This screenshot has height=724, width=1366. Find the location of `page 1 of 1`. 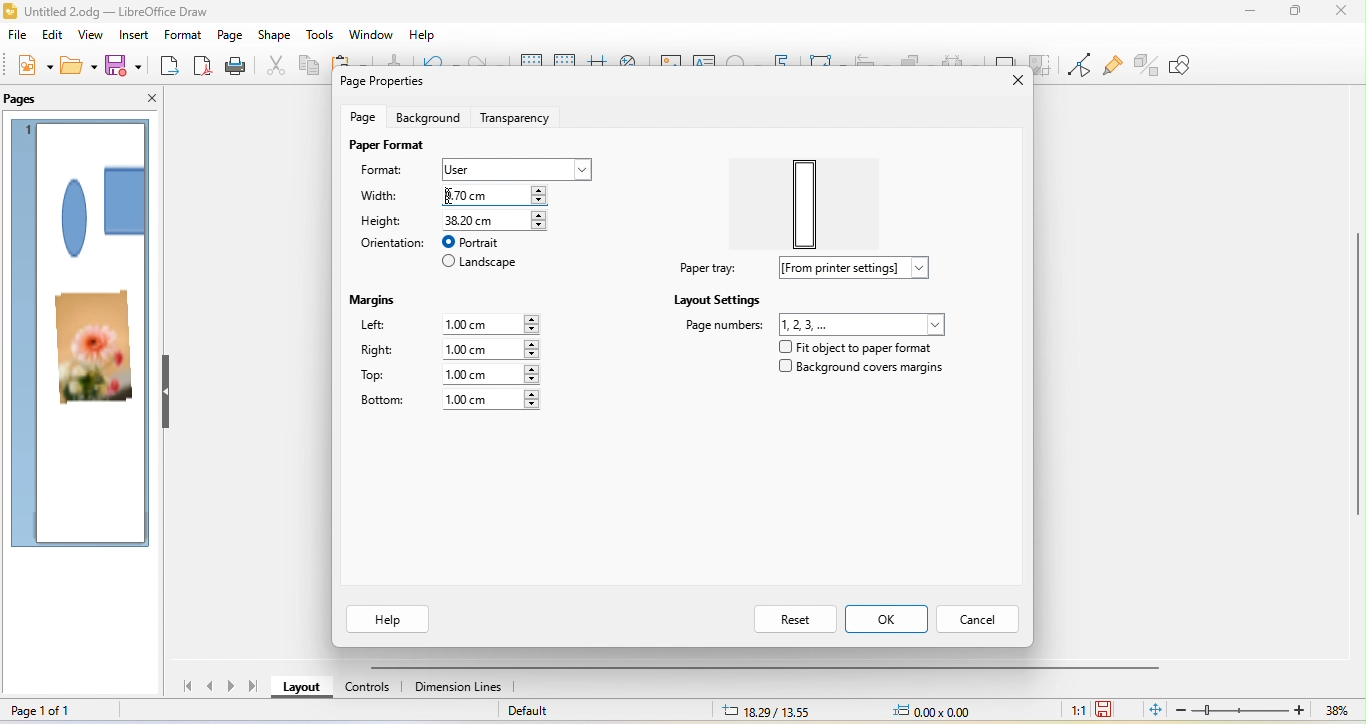

page 1 of 1 is located at coordinates (58, 710).